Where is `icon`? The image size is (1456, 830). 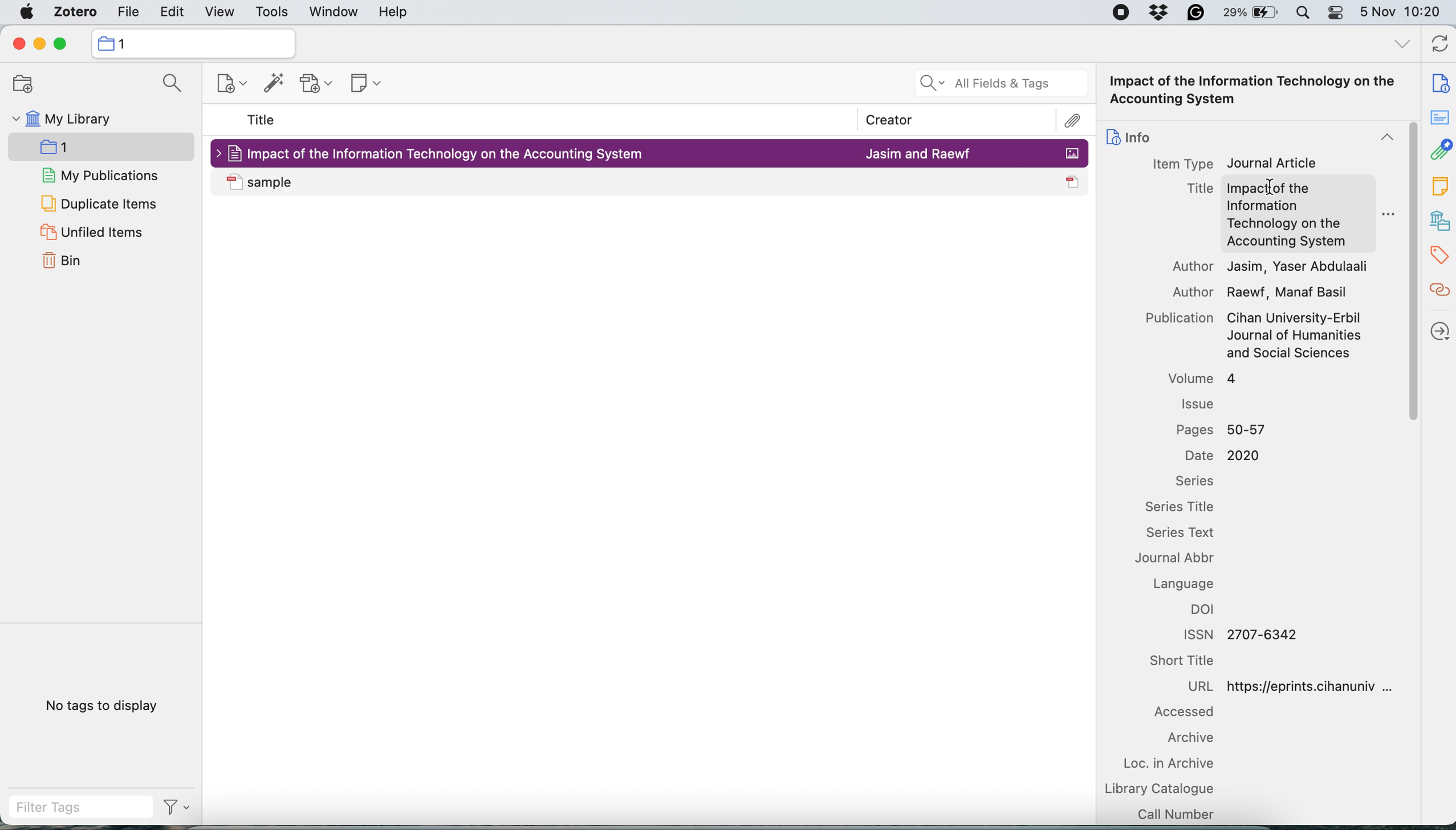
icon is located at coordinates (1113, 136).